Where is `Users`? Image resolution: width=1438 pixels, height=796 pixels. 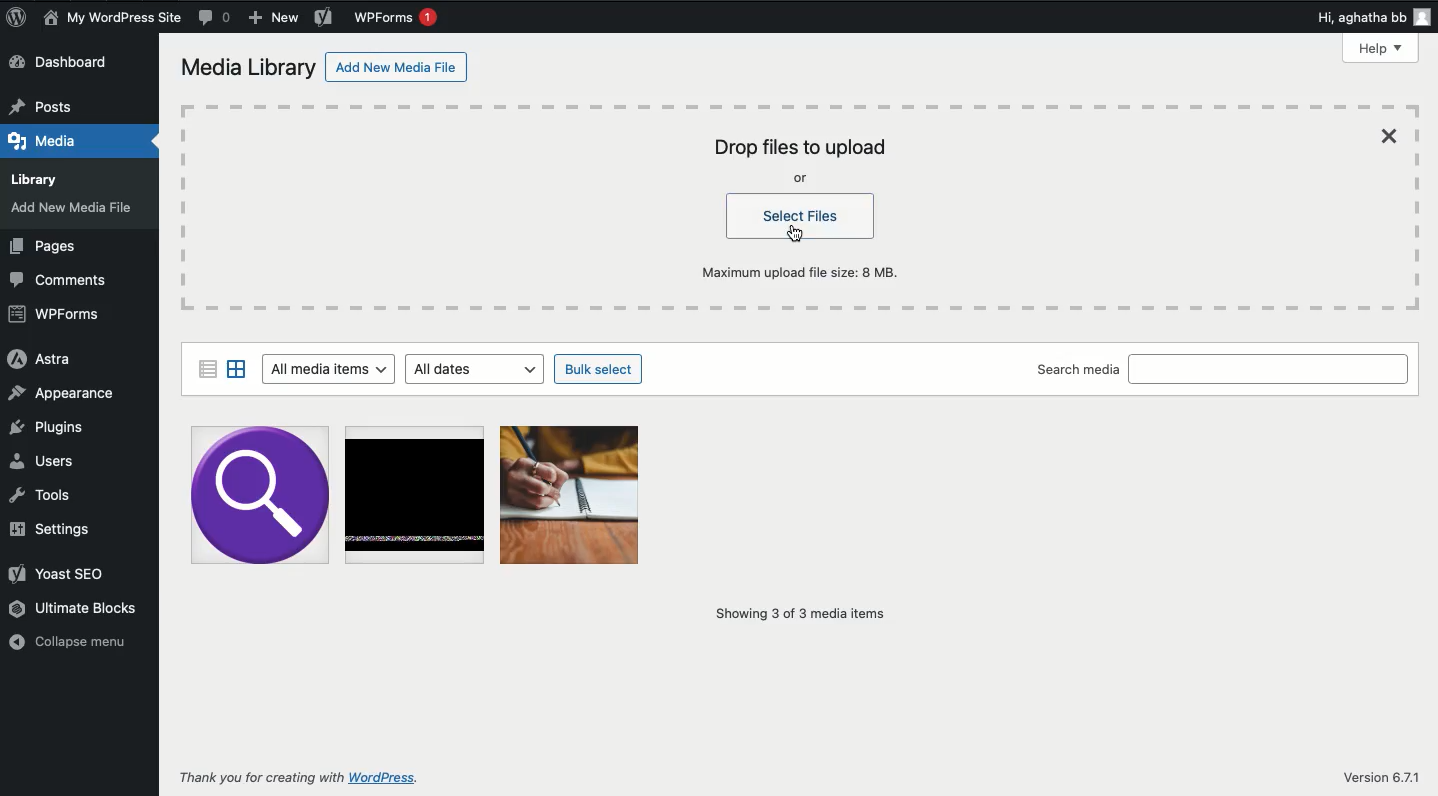 Users is located at coordinates (48, 459).